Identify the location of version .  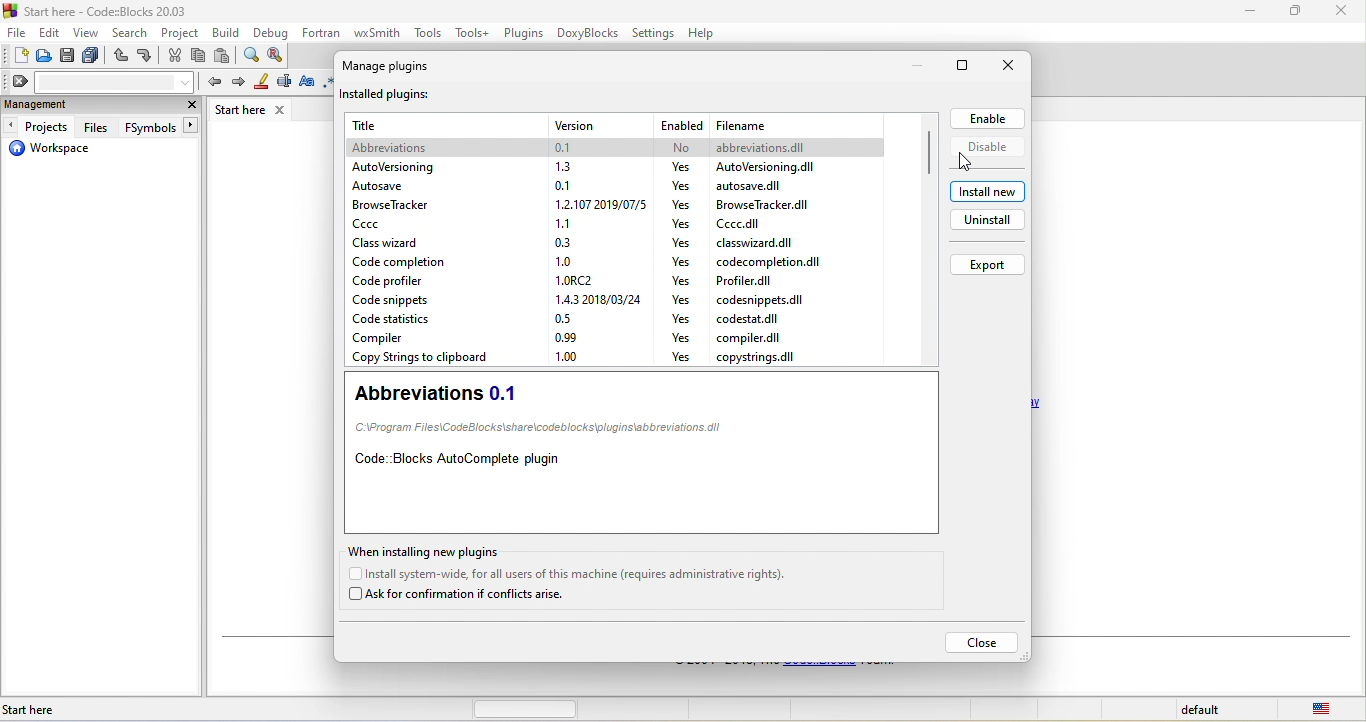
(566, 317).